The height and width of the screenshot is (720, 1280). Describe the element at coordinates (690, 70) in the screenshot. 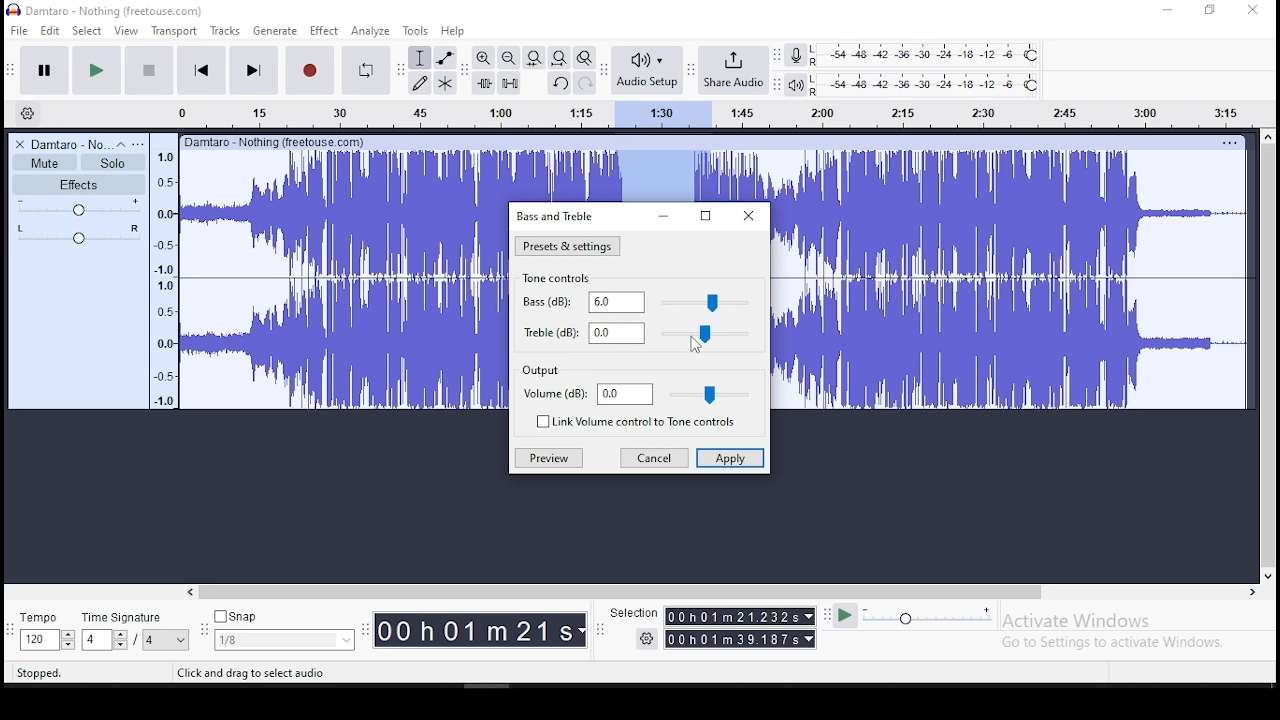

I see `` at that location.